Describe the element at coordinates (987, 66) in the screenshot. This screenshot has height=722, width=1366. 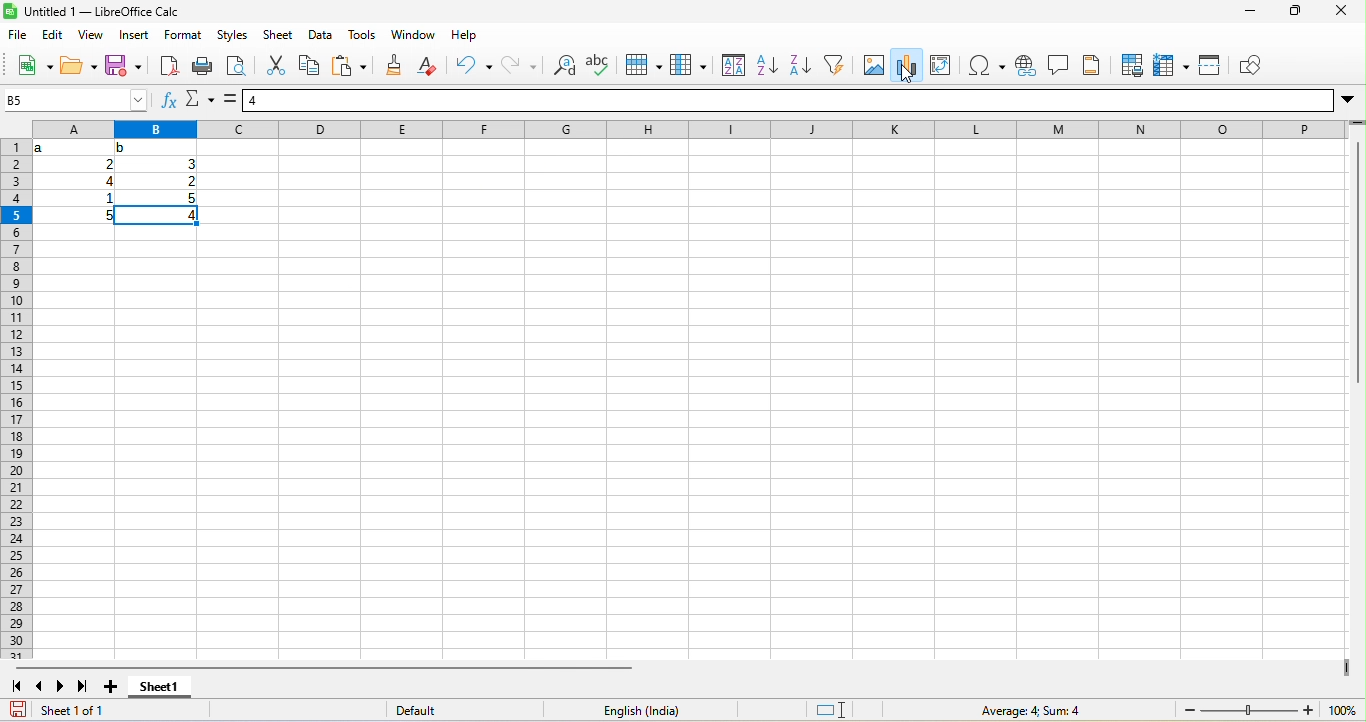
I see `special character` at that location.